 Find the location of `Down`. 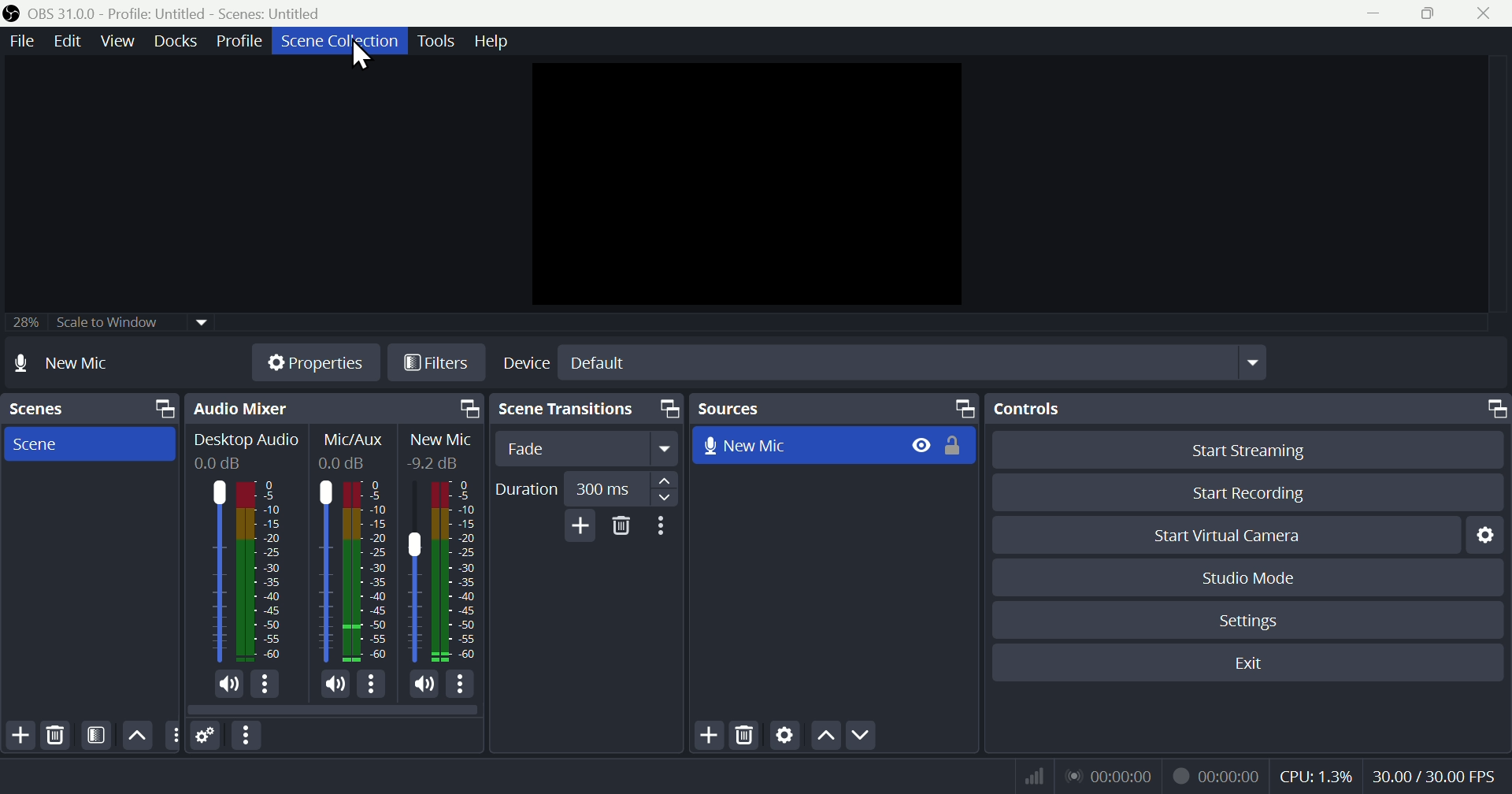

Down is located at coordinates (865, 733).